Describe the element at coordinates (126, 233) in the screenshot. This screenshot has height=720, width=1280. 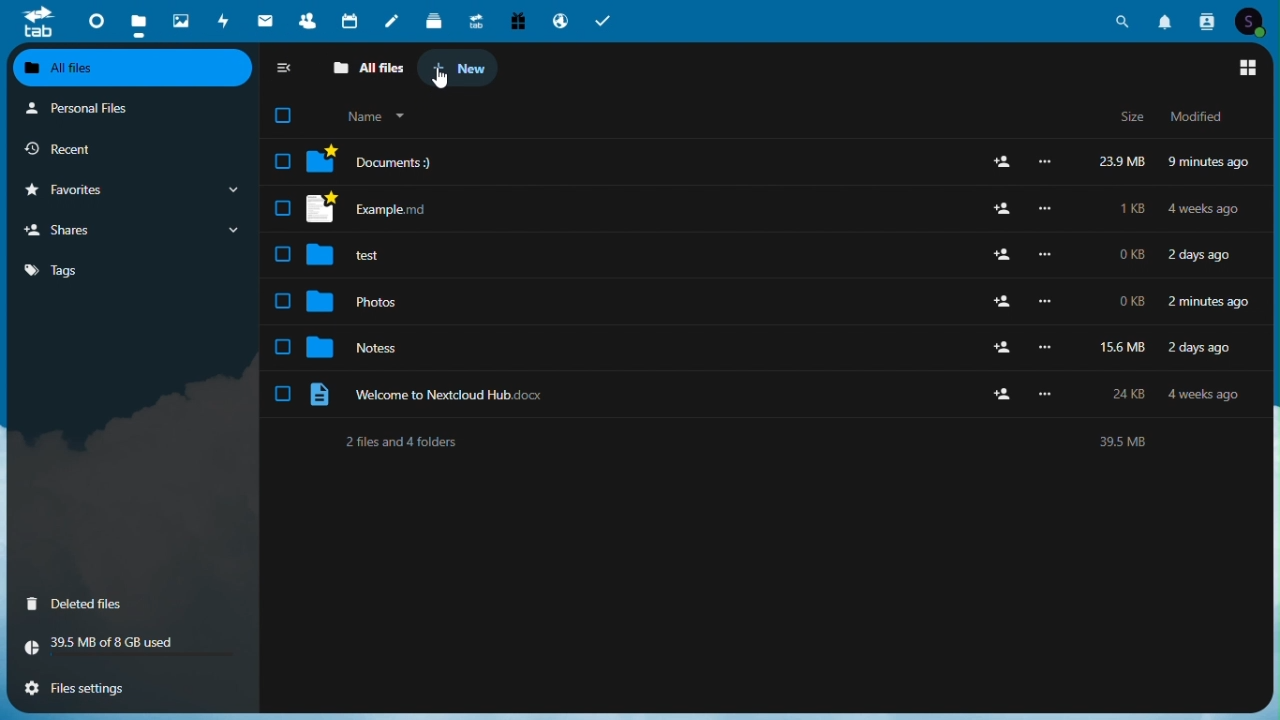
I see `Shares` at that location.